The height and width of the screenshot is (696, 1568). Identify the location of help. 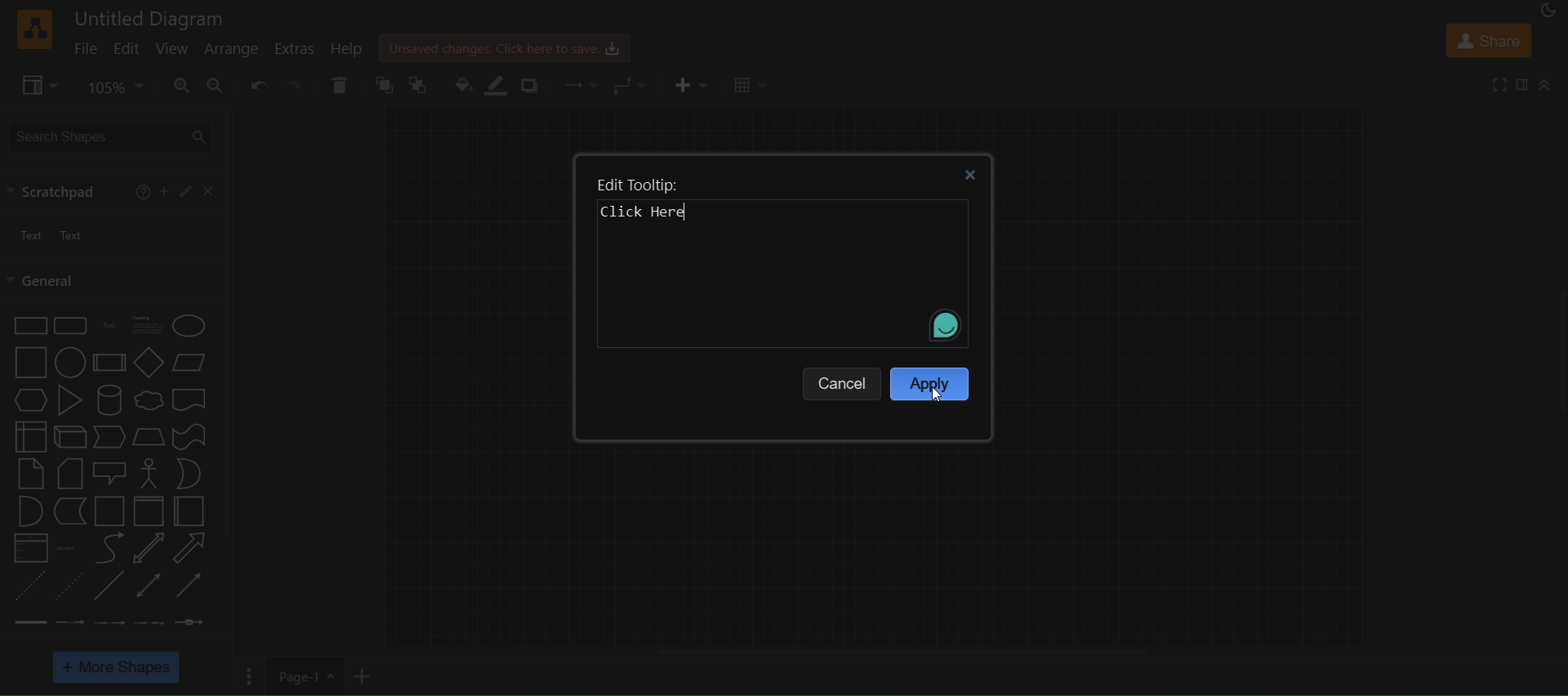
(143, 194).